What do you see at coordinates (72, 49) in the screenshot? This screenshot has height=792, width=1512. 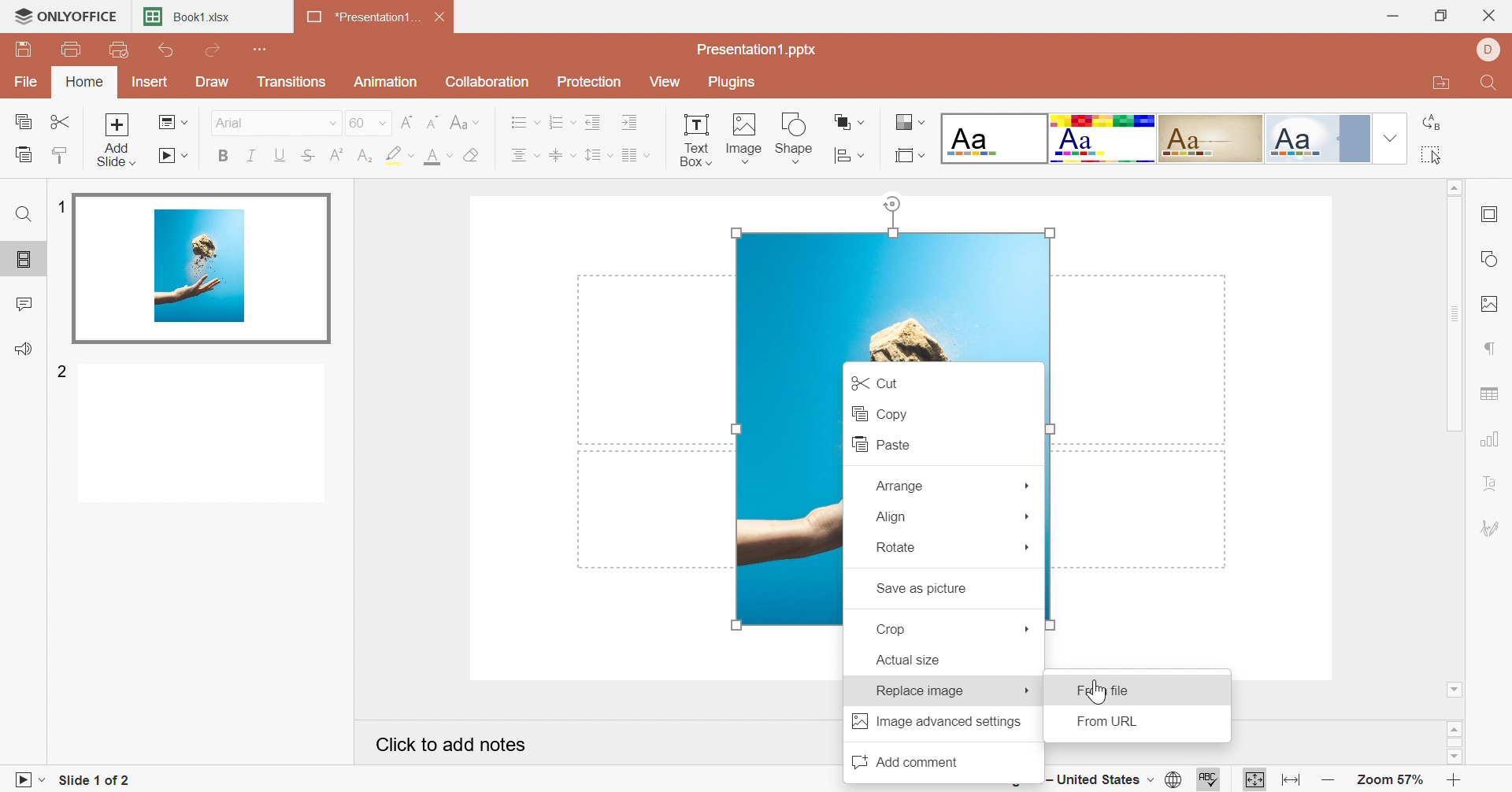 I see `Print` at bounding box center [72, 49].